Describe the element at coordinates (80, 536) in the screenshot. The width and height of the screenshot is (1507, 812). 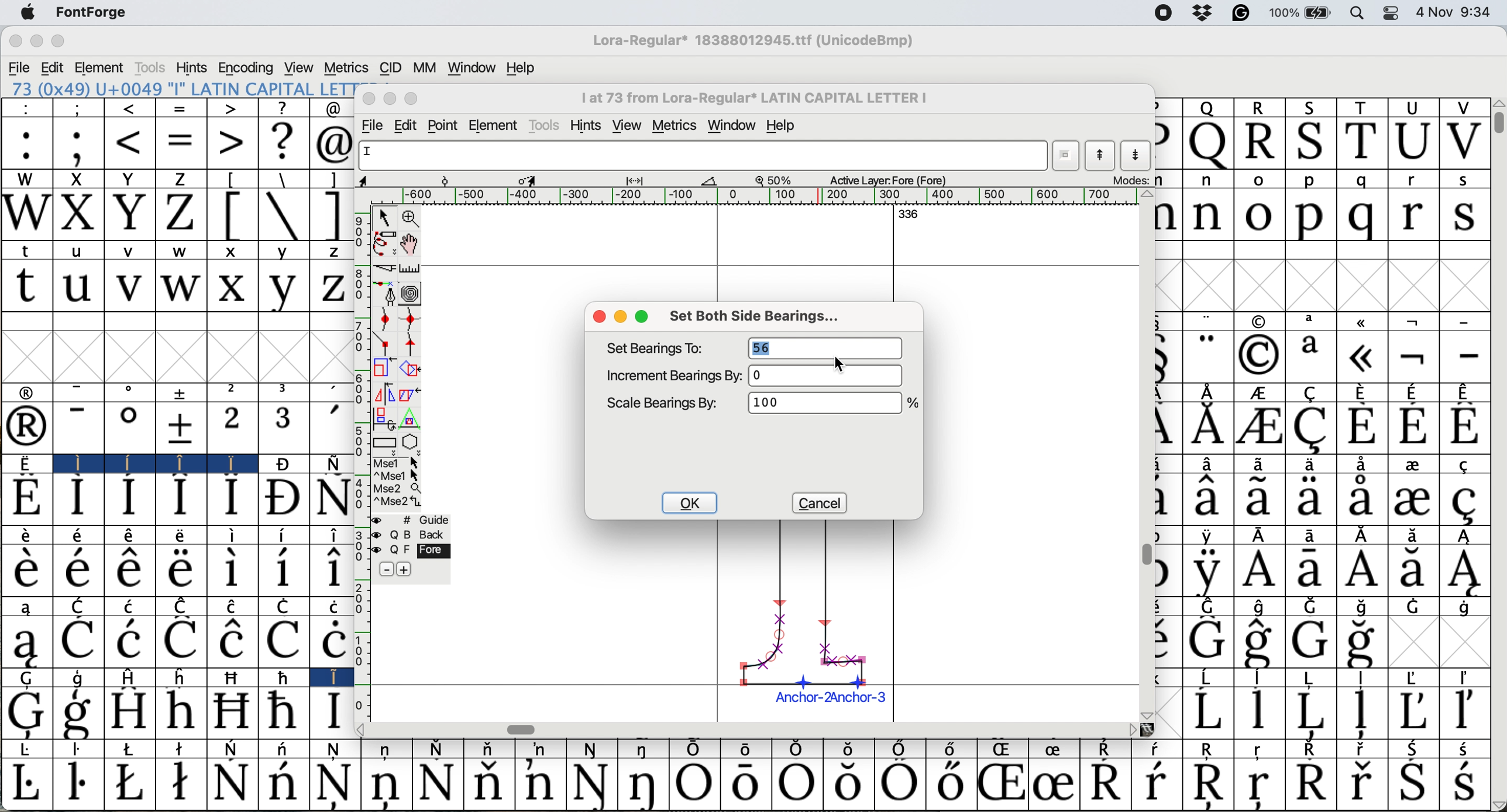
I see `Symbol` at that location.